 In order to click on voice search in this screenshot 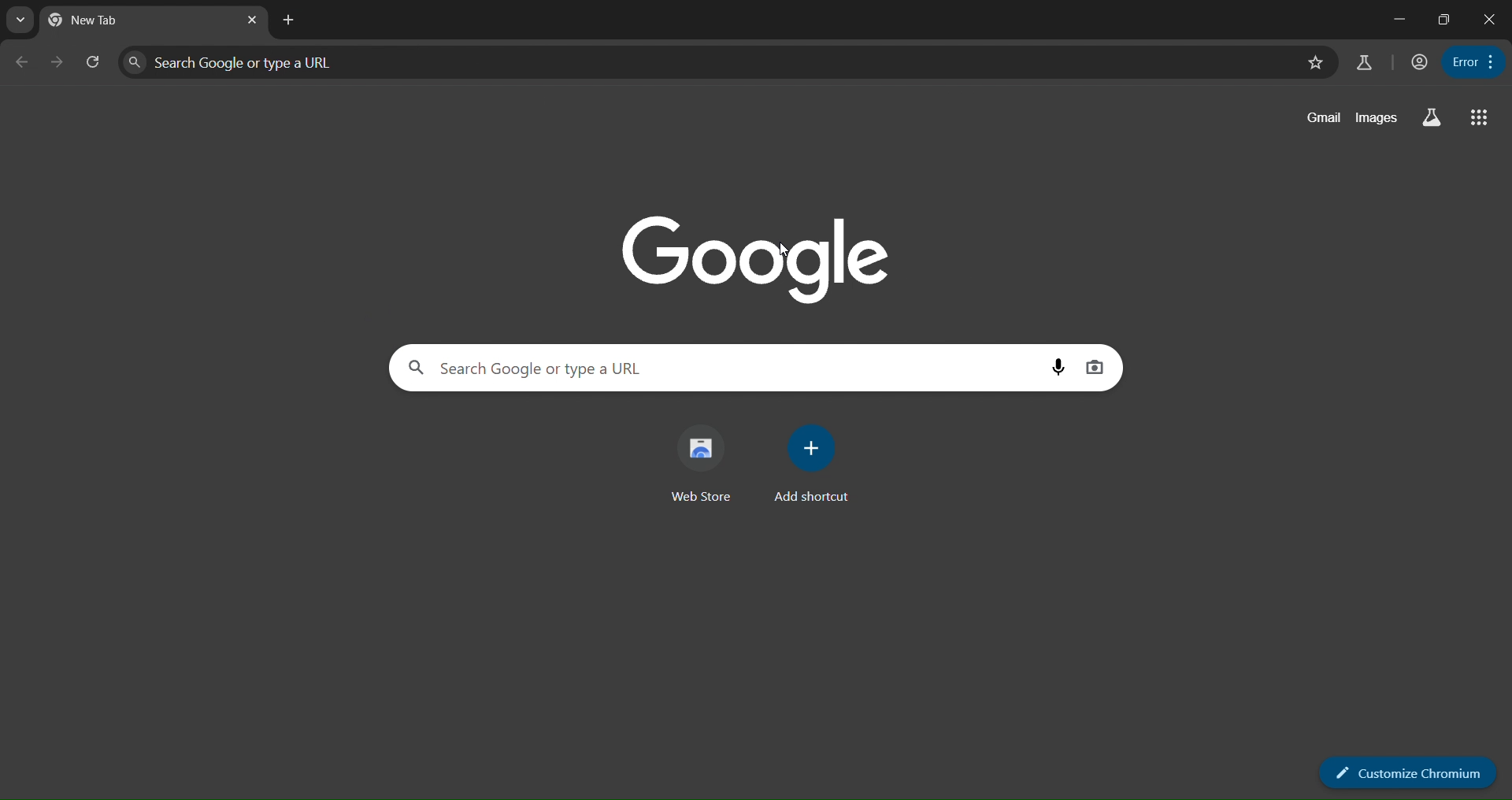, I will do `click(1054, 369)`.